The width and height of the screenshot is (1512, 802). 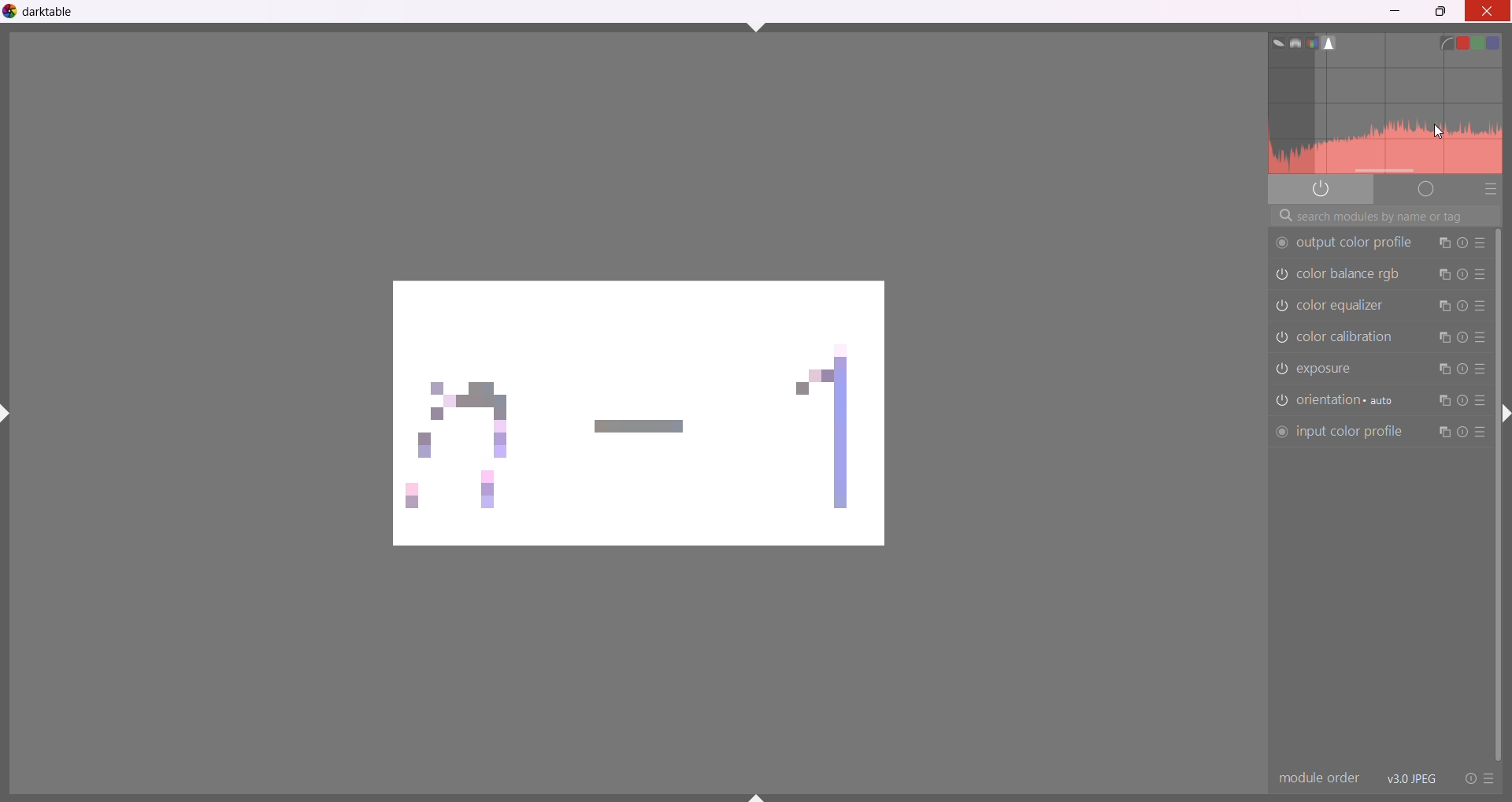 I want to click on presets, so click(x=1480, y=370).